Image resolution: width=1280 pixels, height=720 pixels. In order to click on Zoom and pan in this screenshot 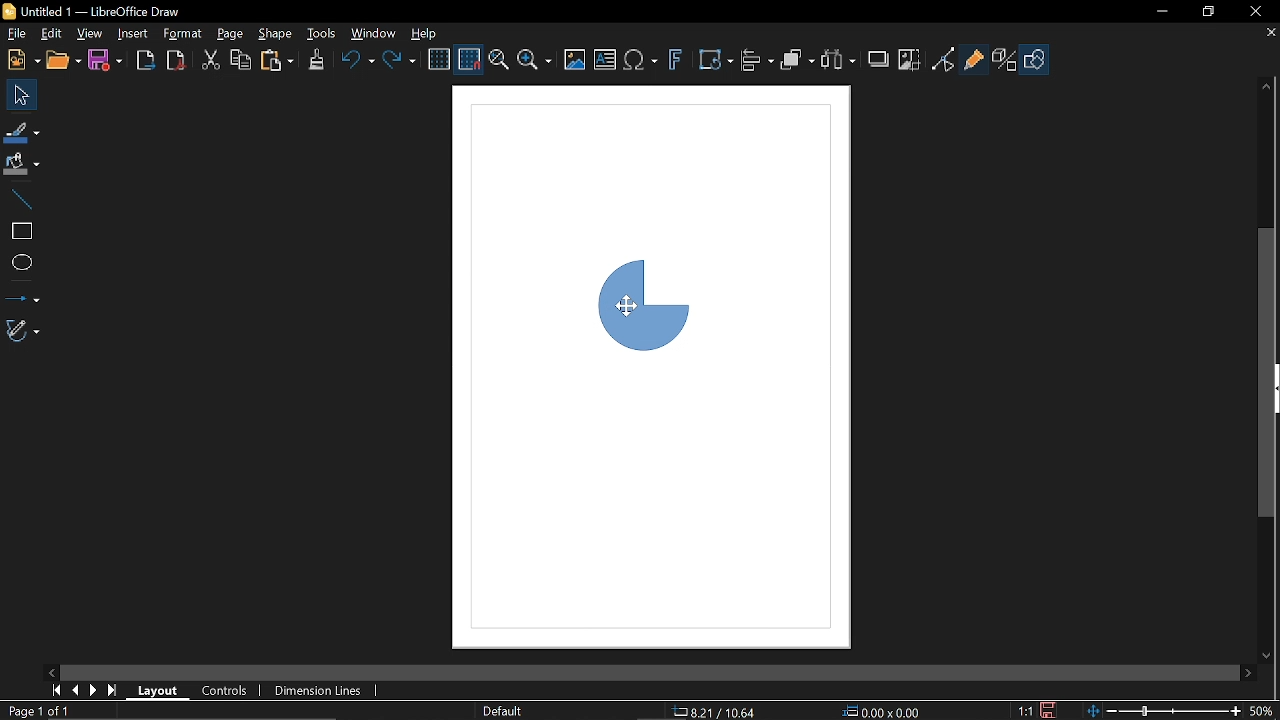, I will do `click(498, 63)`.